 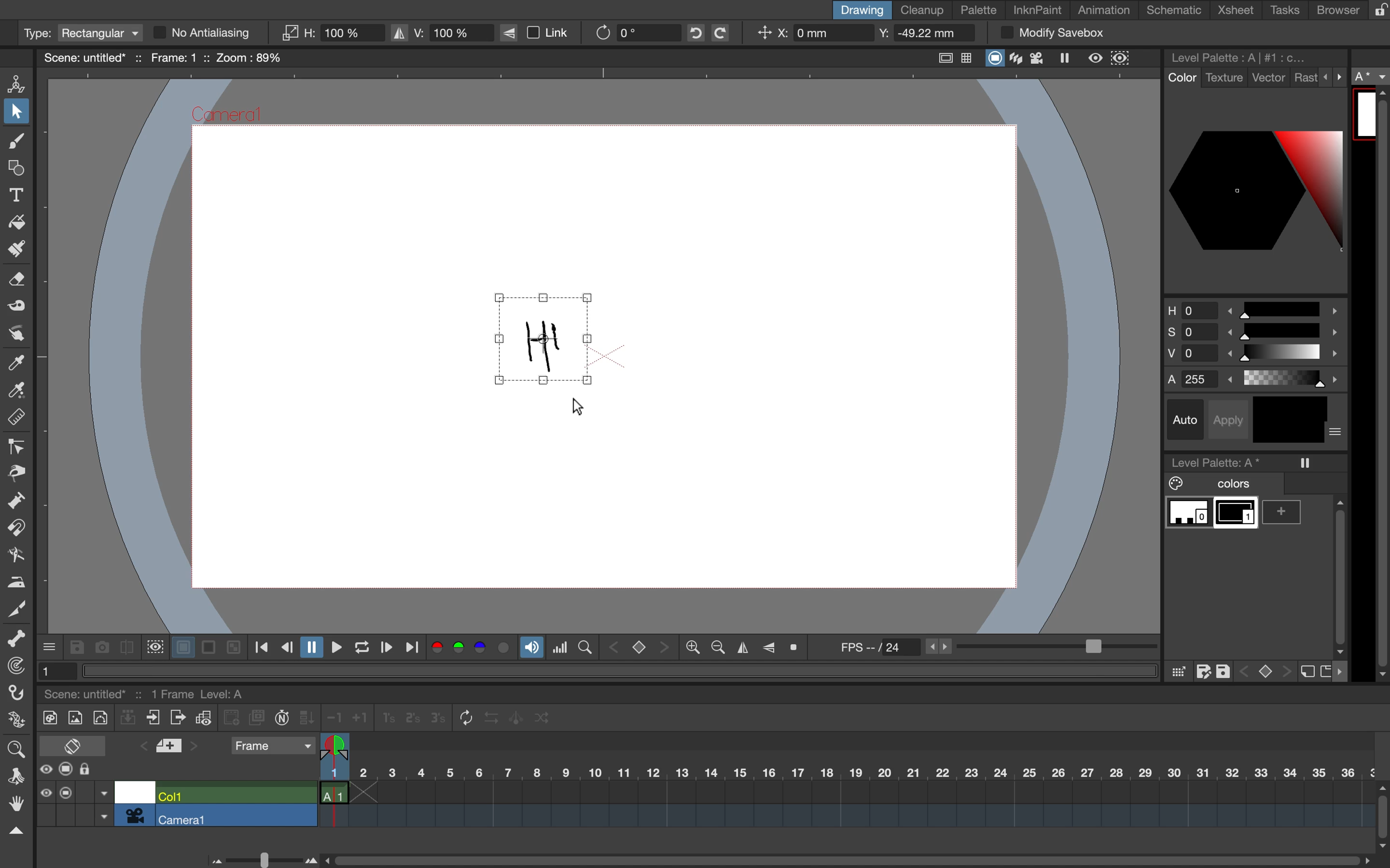 What do you see at coordinates (1187, 420) in the screenshot?
I see `auto` at bounding box center [1187, 420].